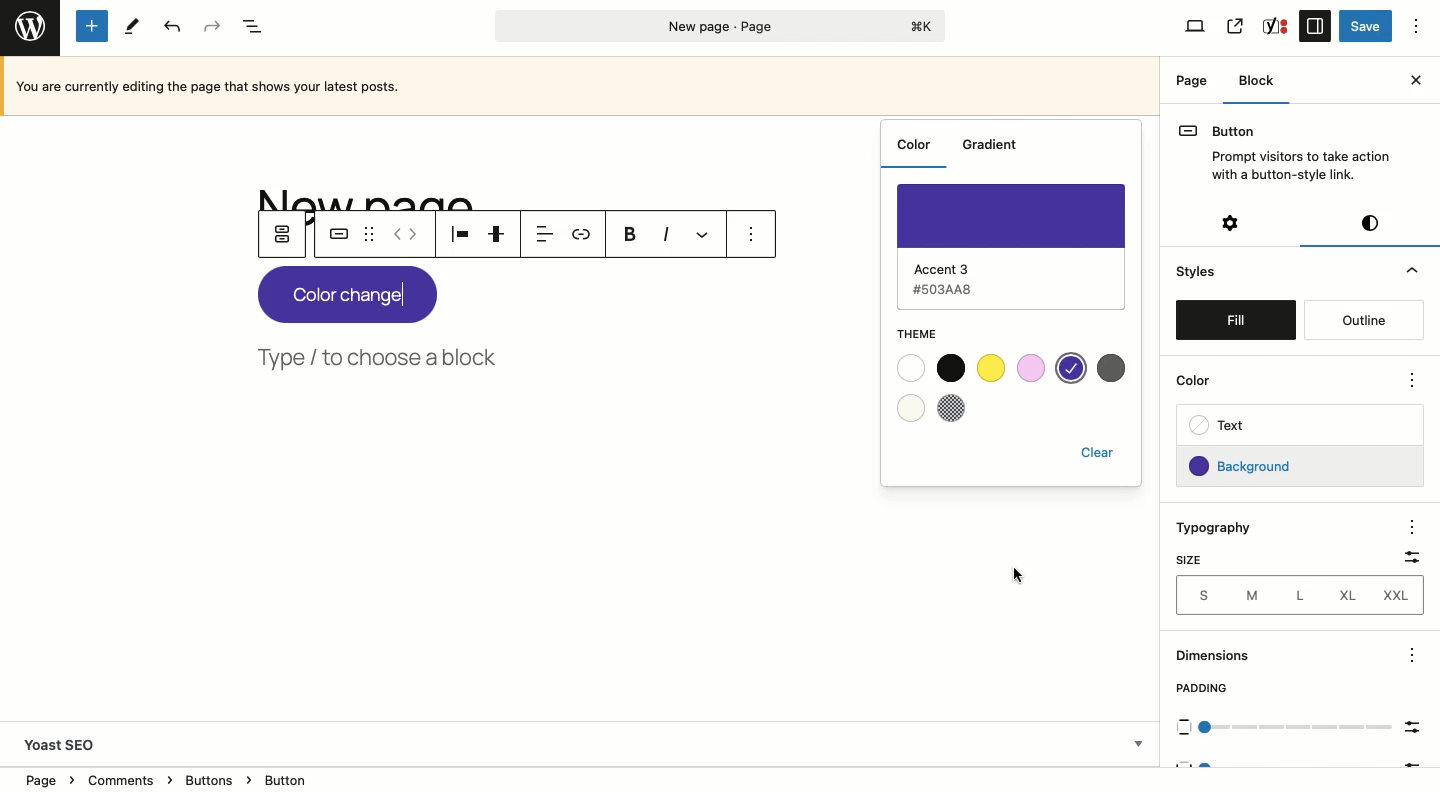 The height and width of the screenshot is (792, 1440). What do you see at coordinates (1410, 656) in the screenshot?
I see `options` at bounding box center [1410, 656].